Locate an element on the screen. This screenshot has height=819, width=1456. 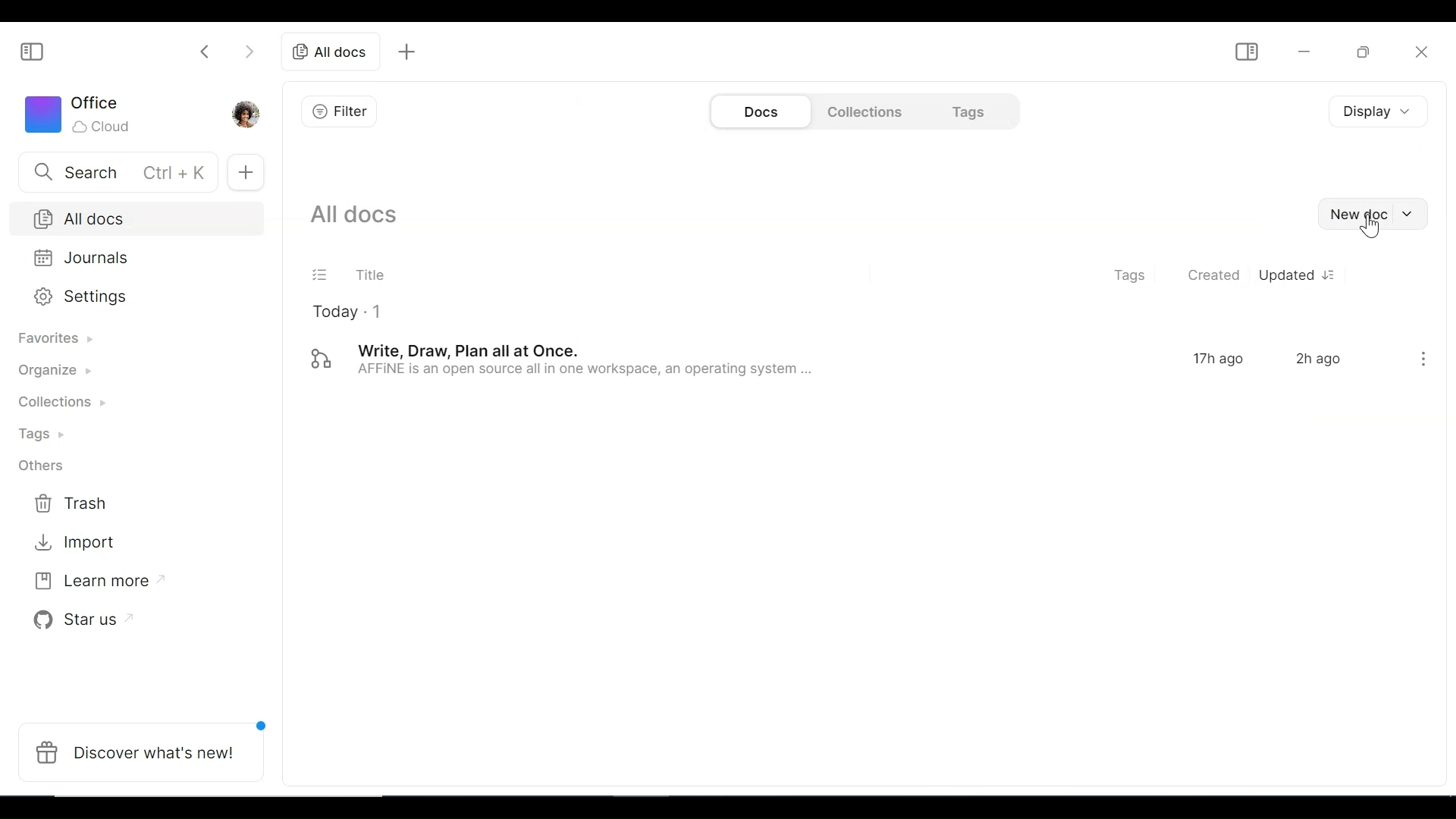
Show all documents is located at coordinates (363, 214).